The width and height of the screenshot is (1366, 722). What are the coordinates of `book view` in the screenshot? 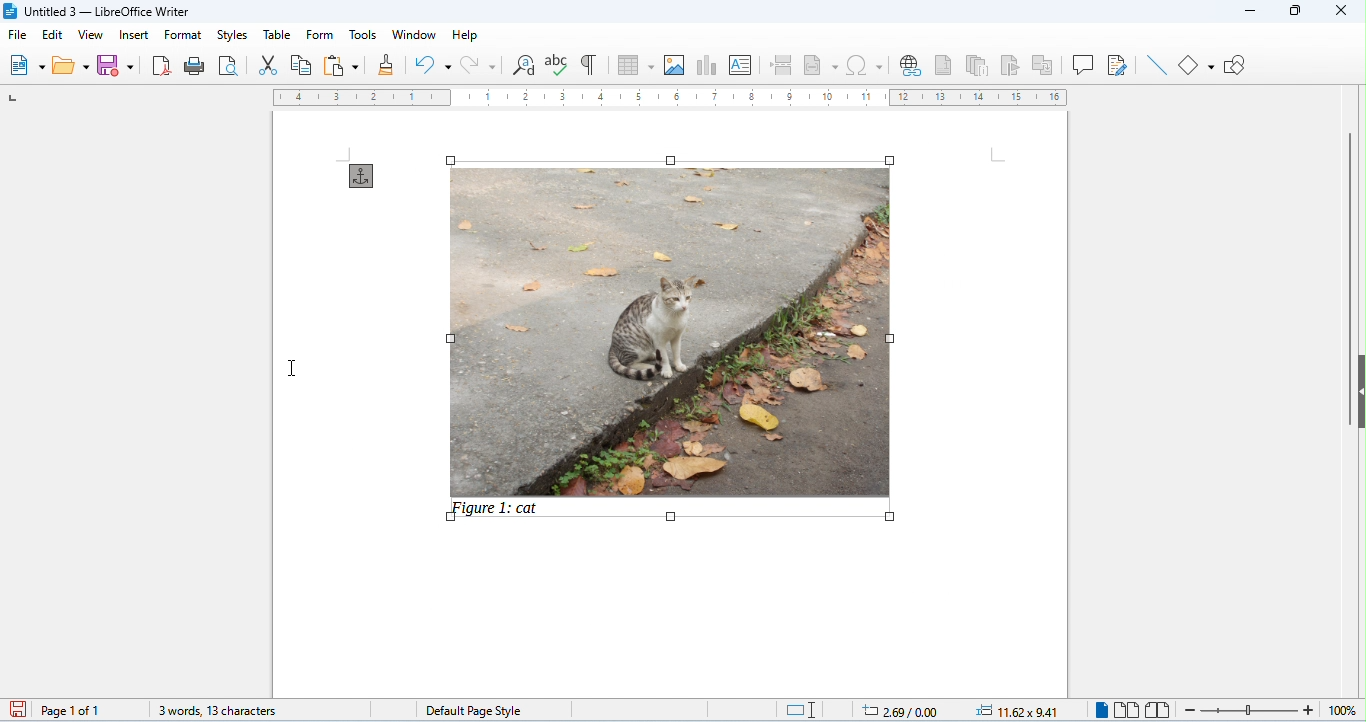 It's located at (1157, 710).